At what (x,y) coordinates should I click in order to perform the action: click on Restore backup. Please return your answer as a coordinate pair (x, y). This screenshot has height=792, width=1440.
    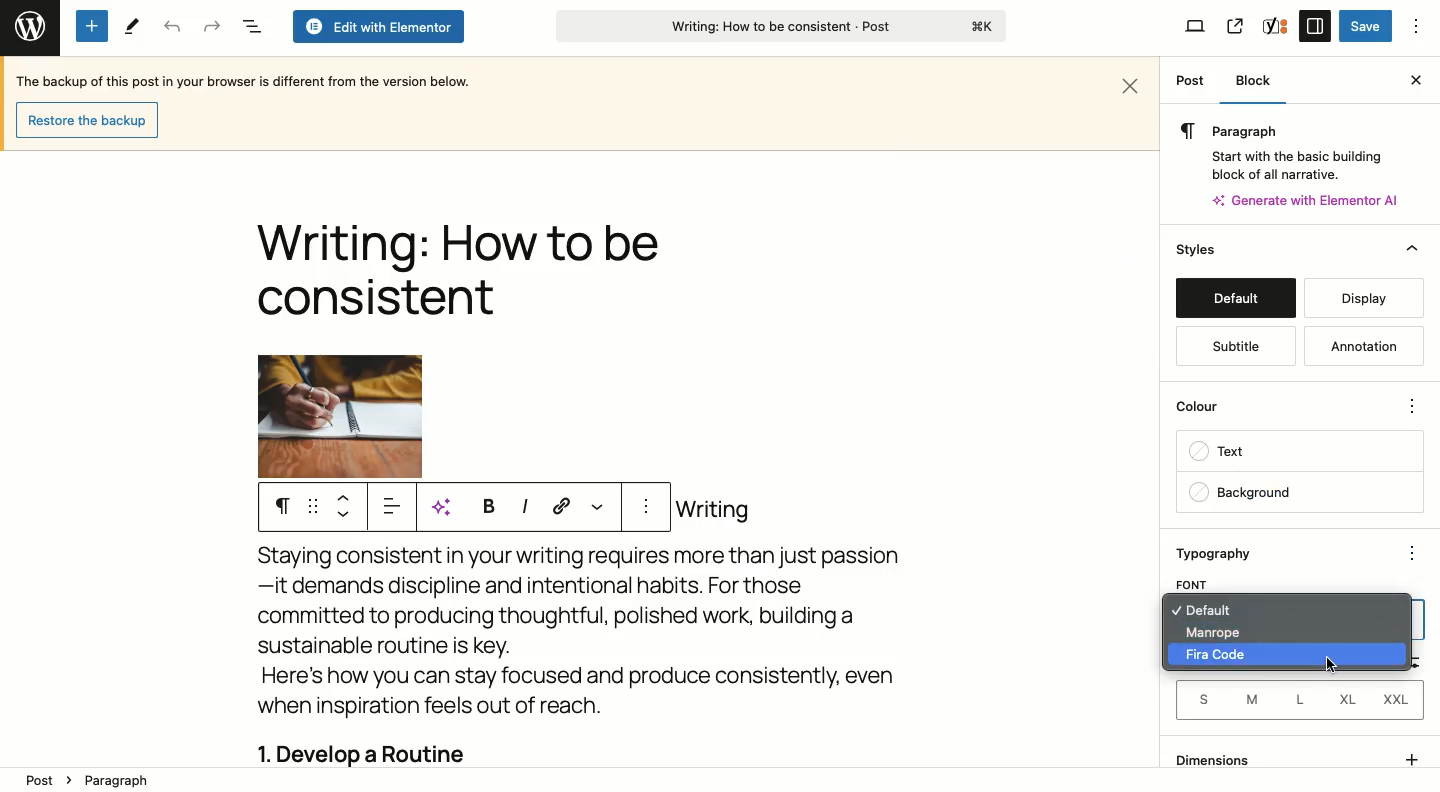
    Looking at the image, I should click on (85, 119).